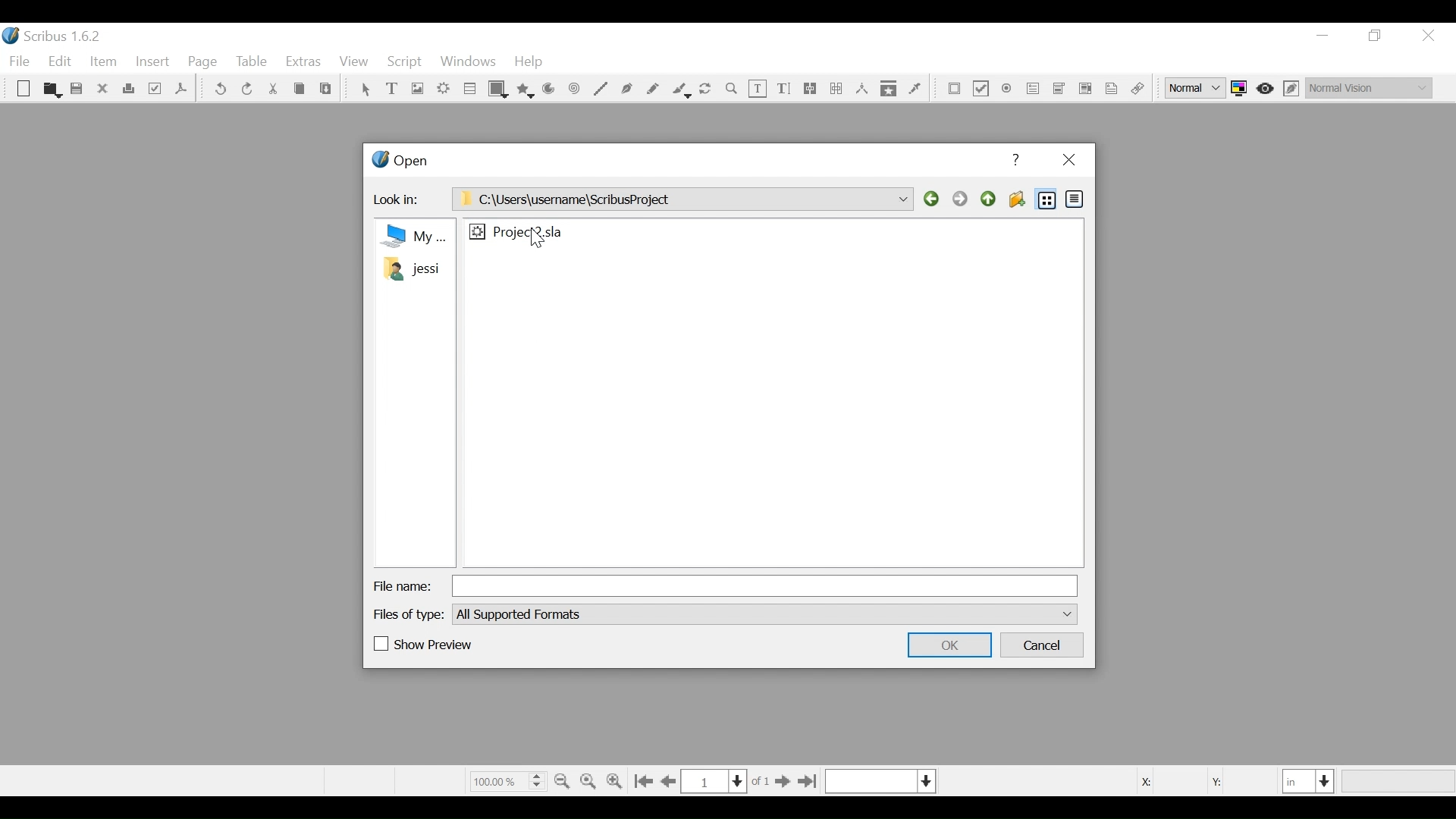 This screenshot has height=819, width=1456. What do you see at coordinates (600, 89) in the screenshot?
I see `Line` at bounding box center [600, 89].